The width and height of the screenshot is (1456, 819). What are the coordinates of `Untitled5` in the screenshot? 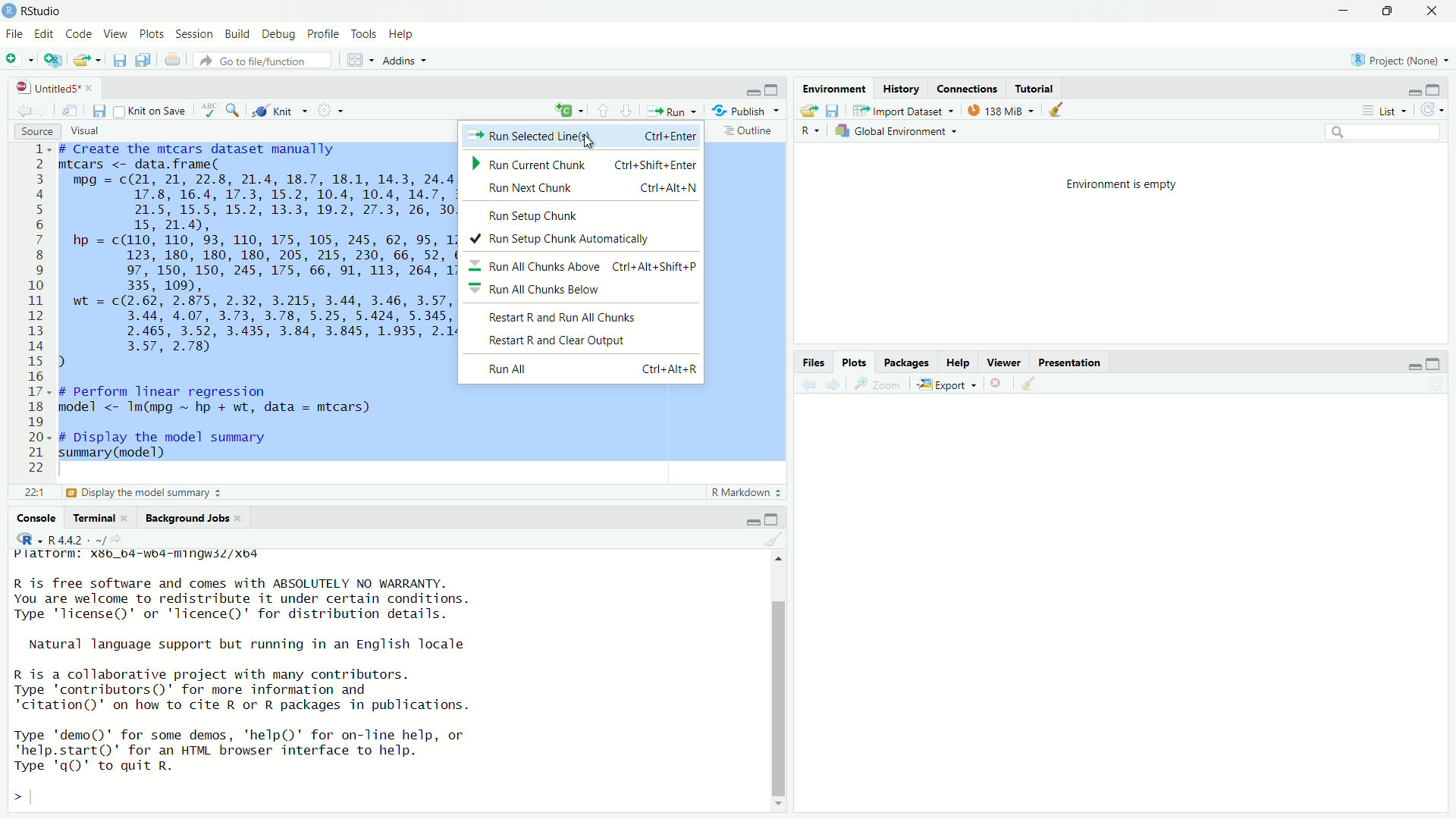 It's located at (49, 88).